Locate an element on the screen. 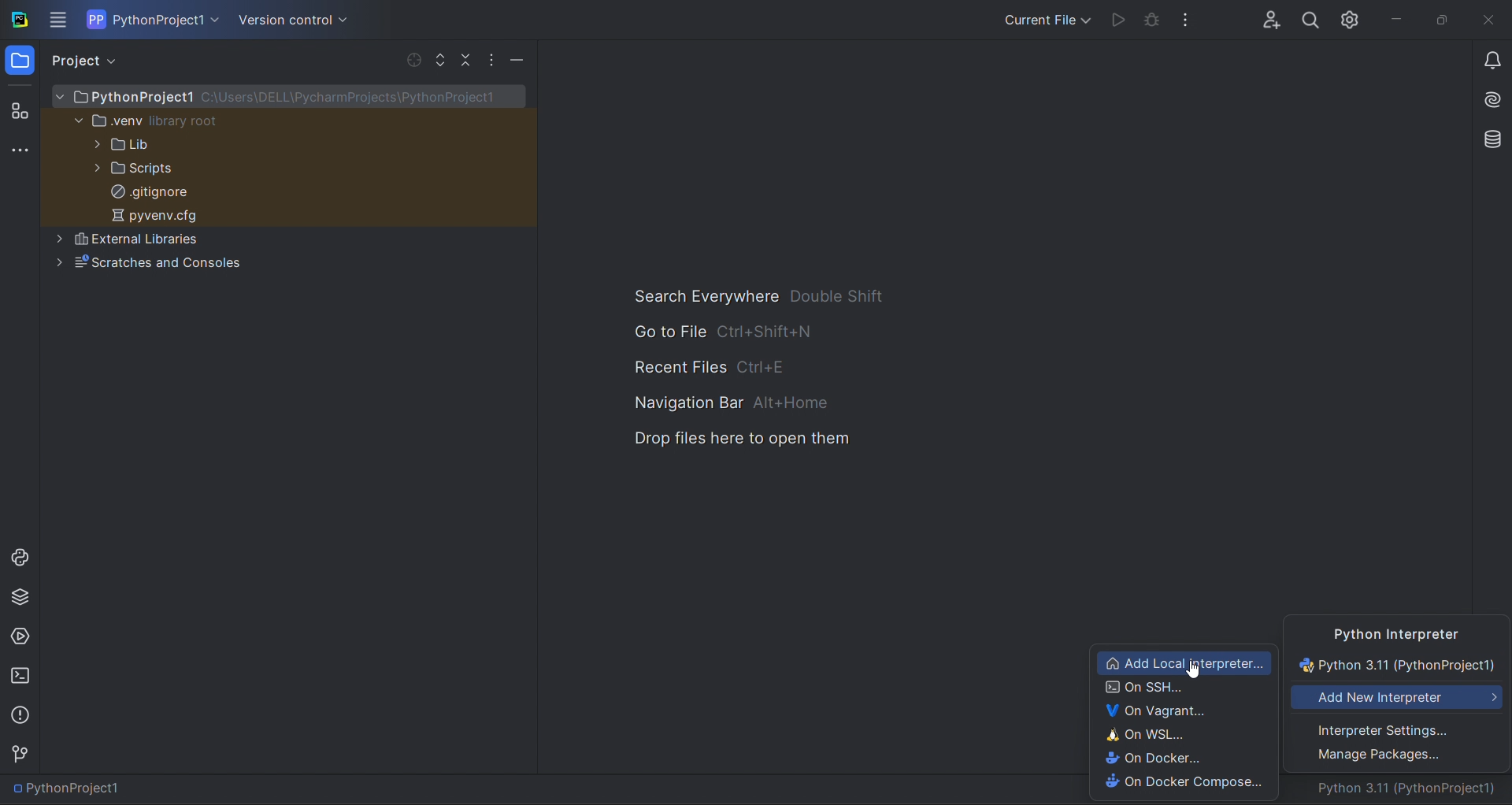 The width and height of the screenshot is (1512, 805). python console is located at coordinates (18, 556).